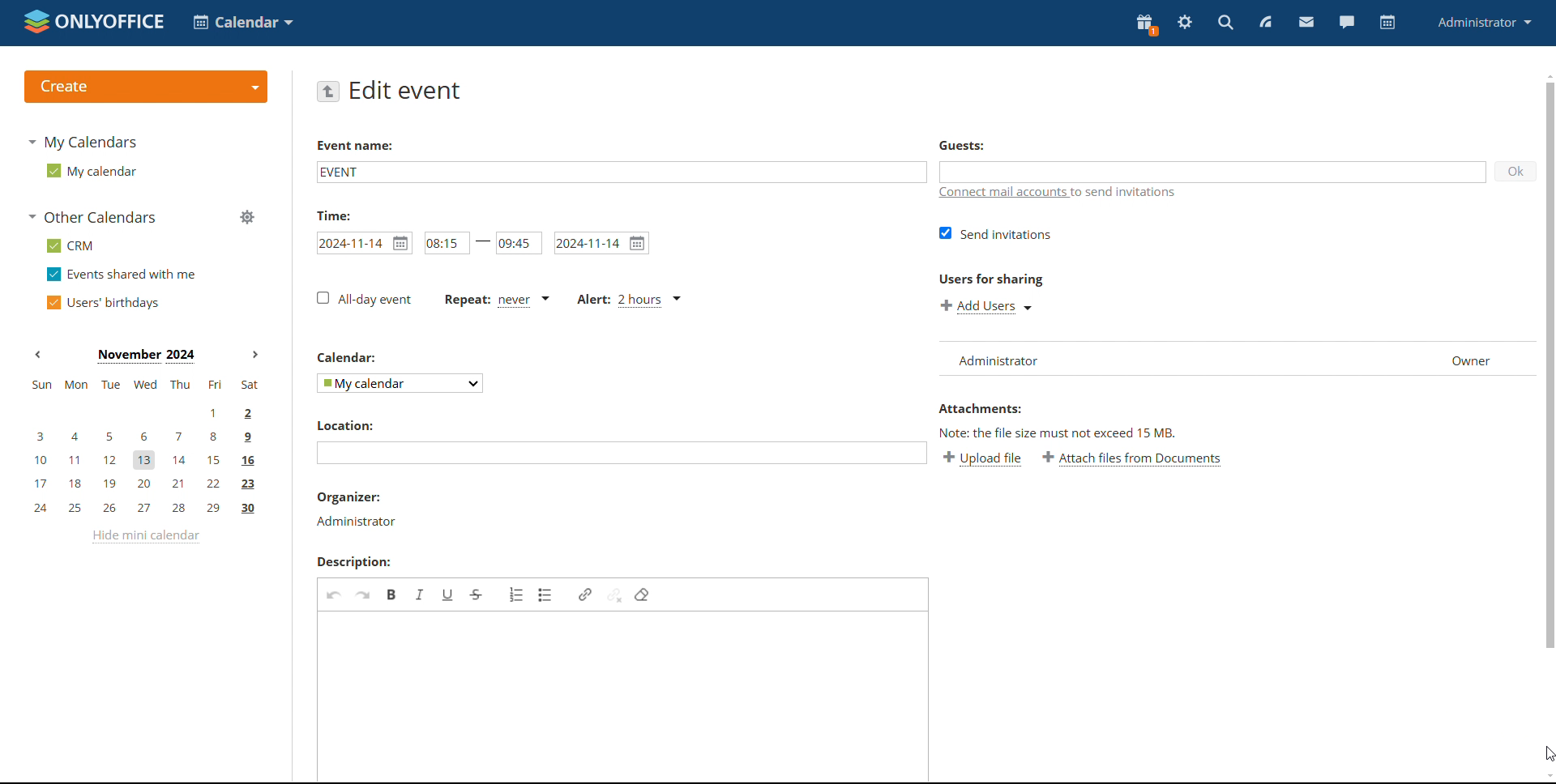 This screenshot has height=784, width=1556. What do you see at coordinates (601, 244) in the screenshot?
I see `end date` at bounding box center [601, 244].